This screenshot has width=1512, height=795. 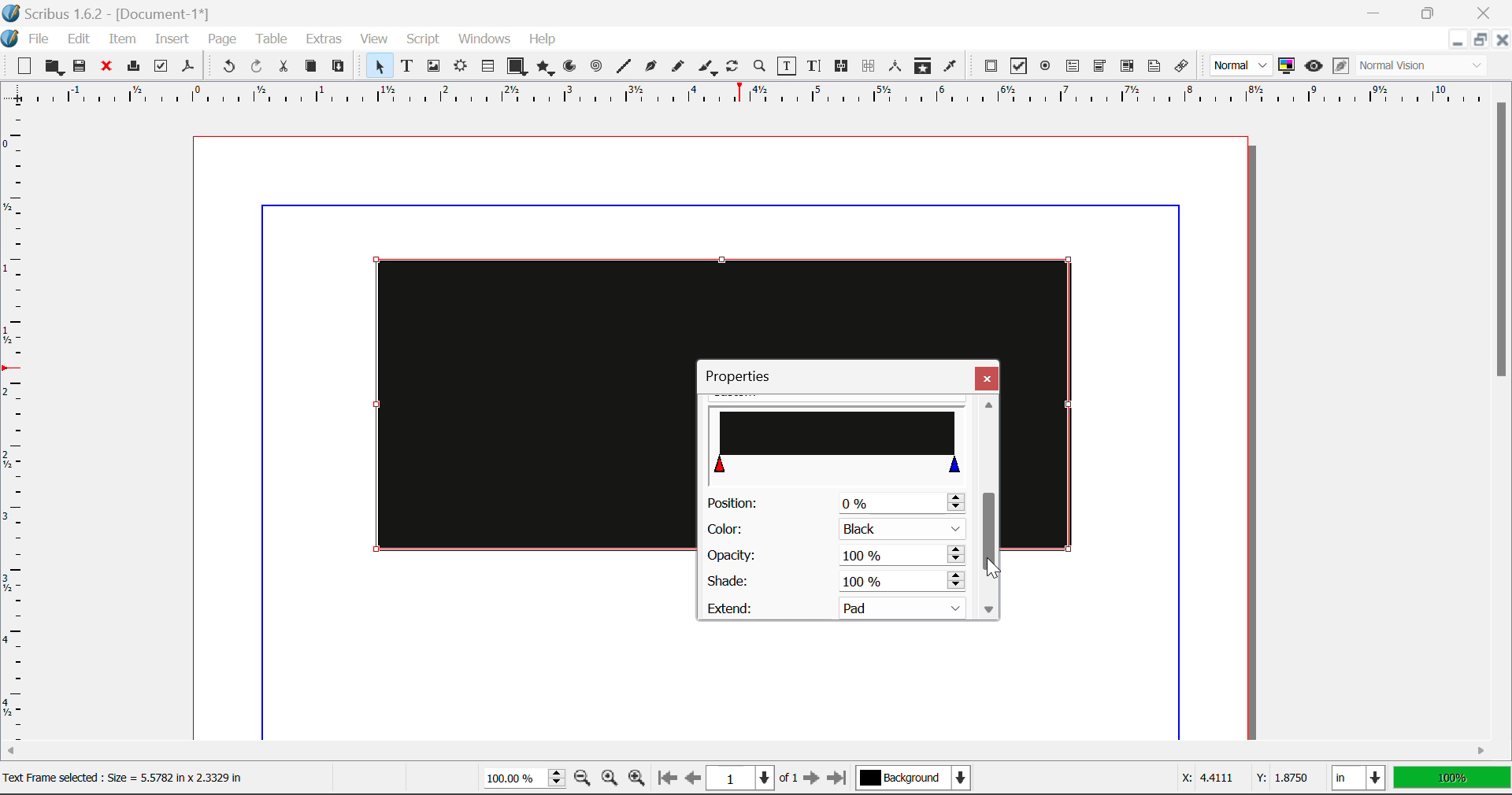 What do you see at coordinates (545, 69) in the screenshot?
I see `Polygons` at bounding box center [545, 69].